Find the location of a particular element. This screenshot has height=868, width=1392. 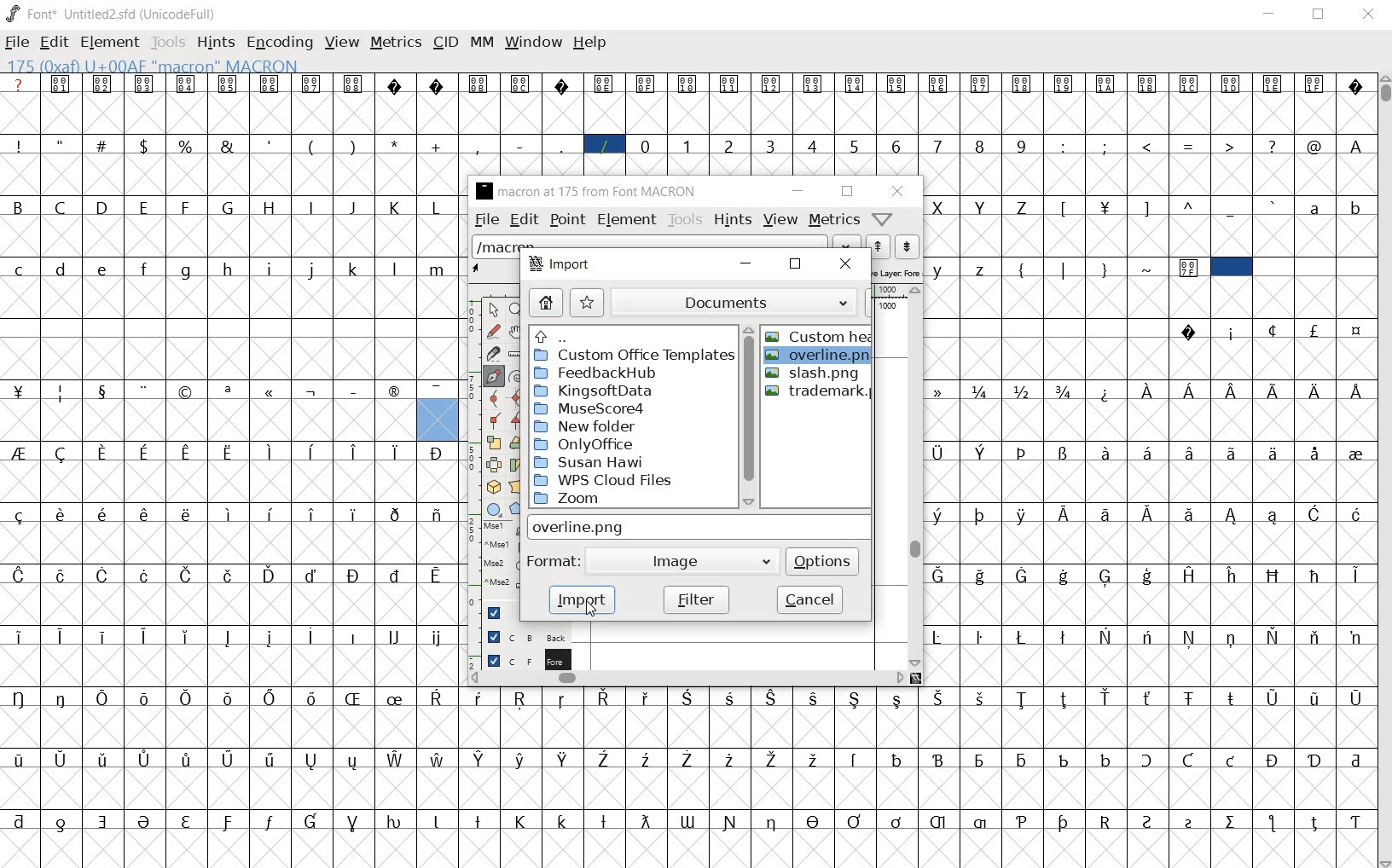

Symbol is located at coordinates (20, 574).